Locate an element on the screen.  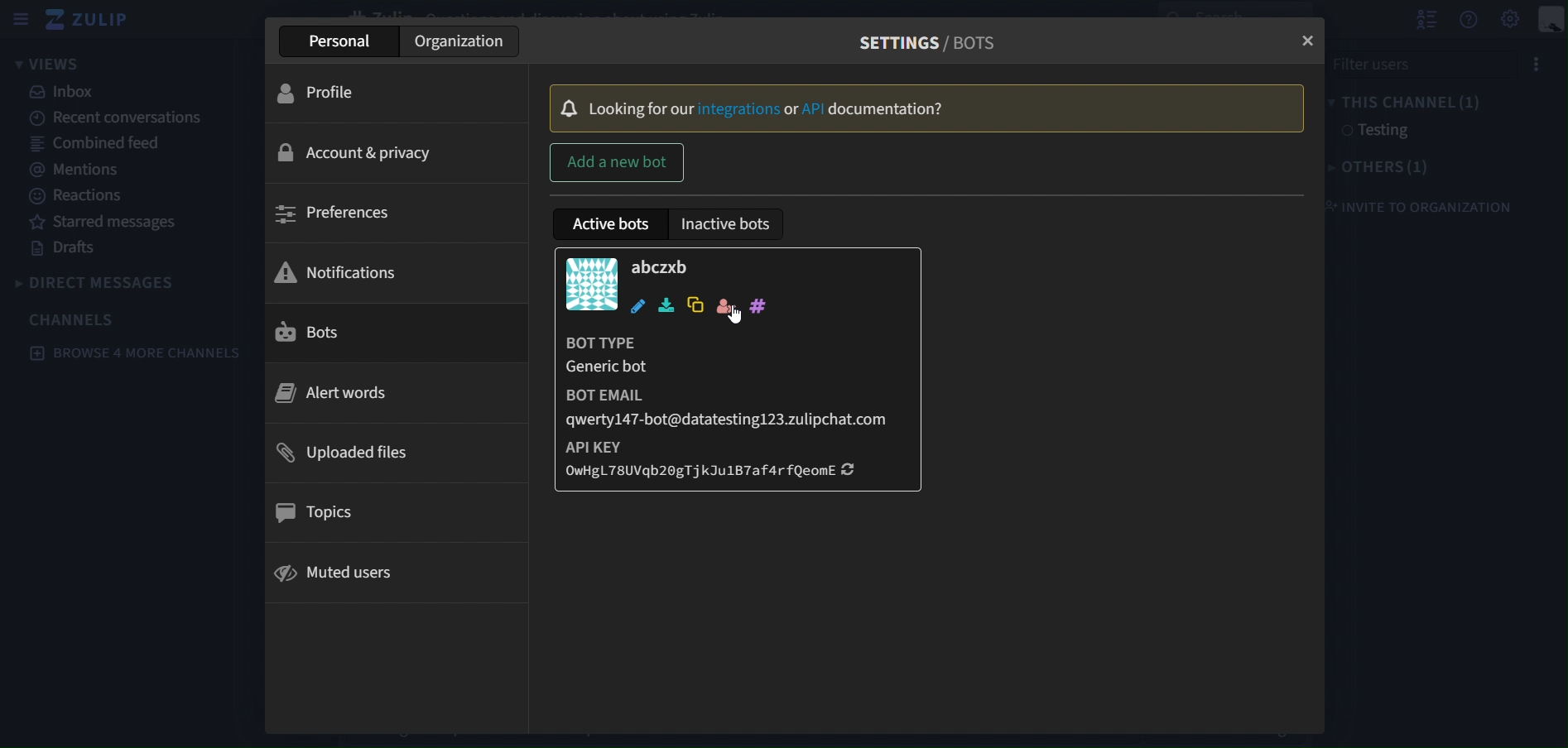
settings/bots is located at coordinates (921, 40).